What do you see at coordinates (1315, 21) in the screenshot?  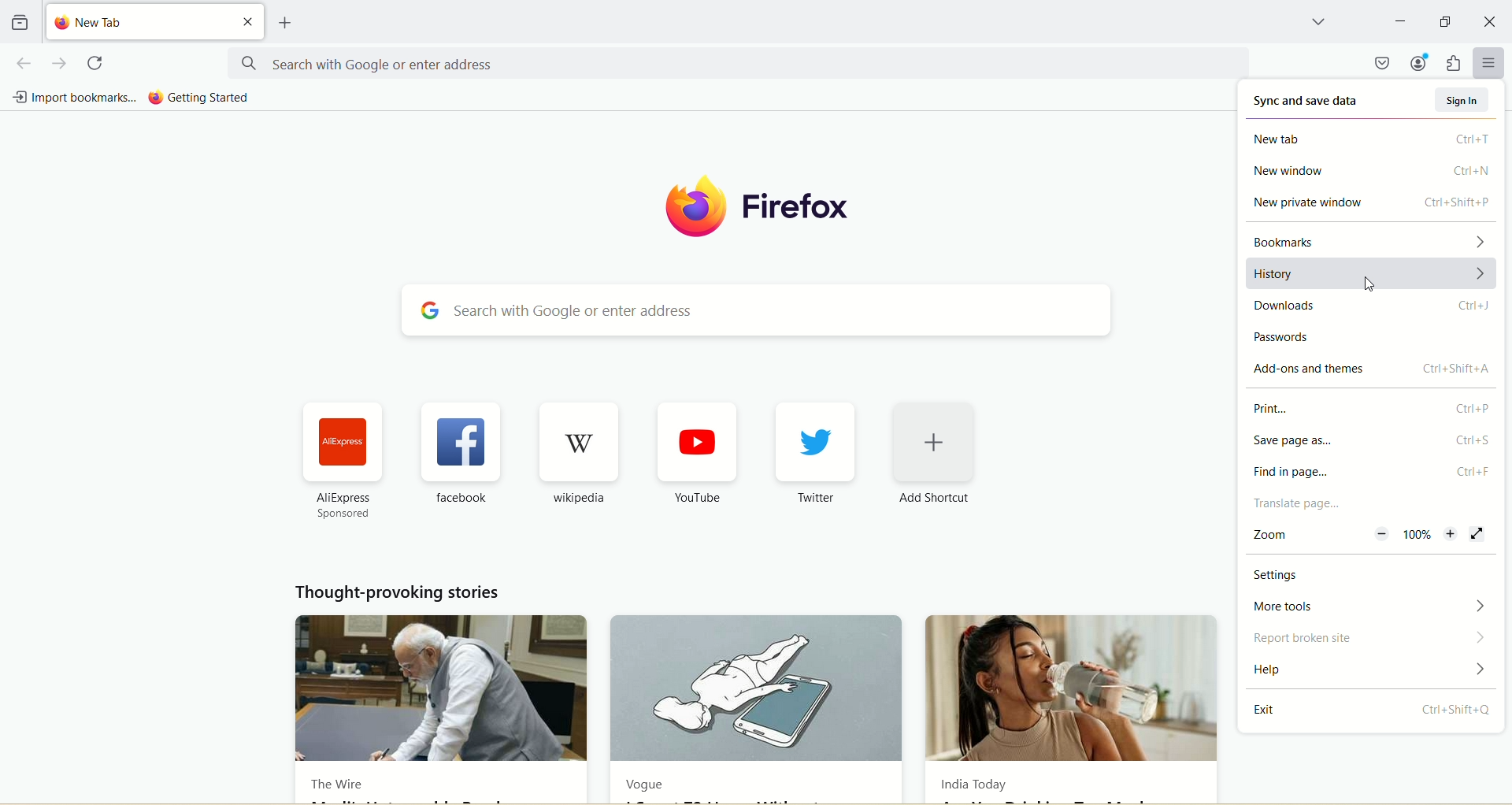 I see `list all tabs` at bounding box center [1315, 21].